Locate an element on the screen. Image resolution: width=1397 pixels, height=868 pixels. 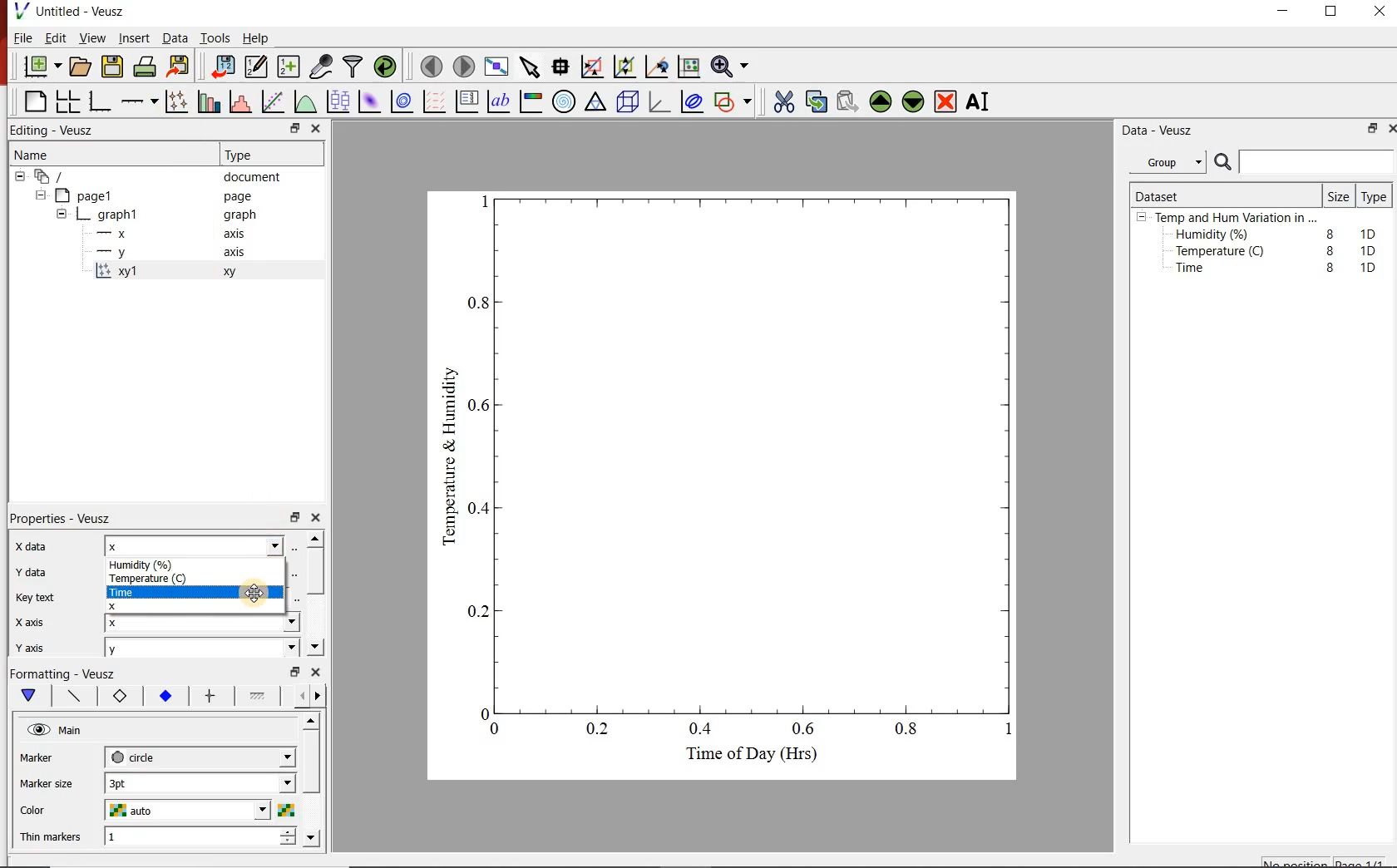
arrange graphs in a grid is located at coordinates (70, 99).